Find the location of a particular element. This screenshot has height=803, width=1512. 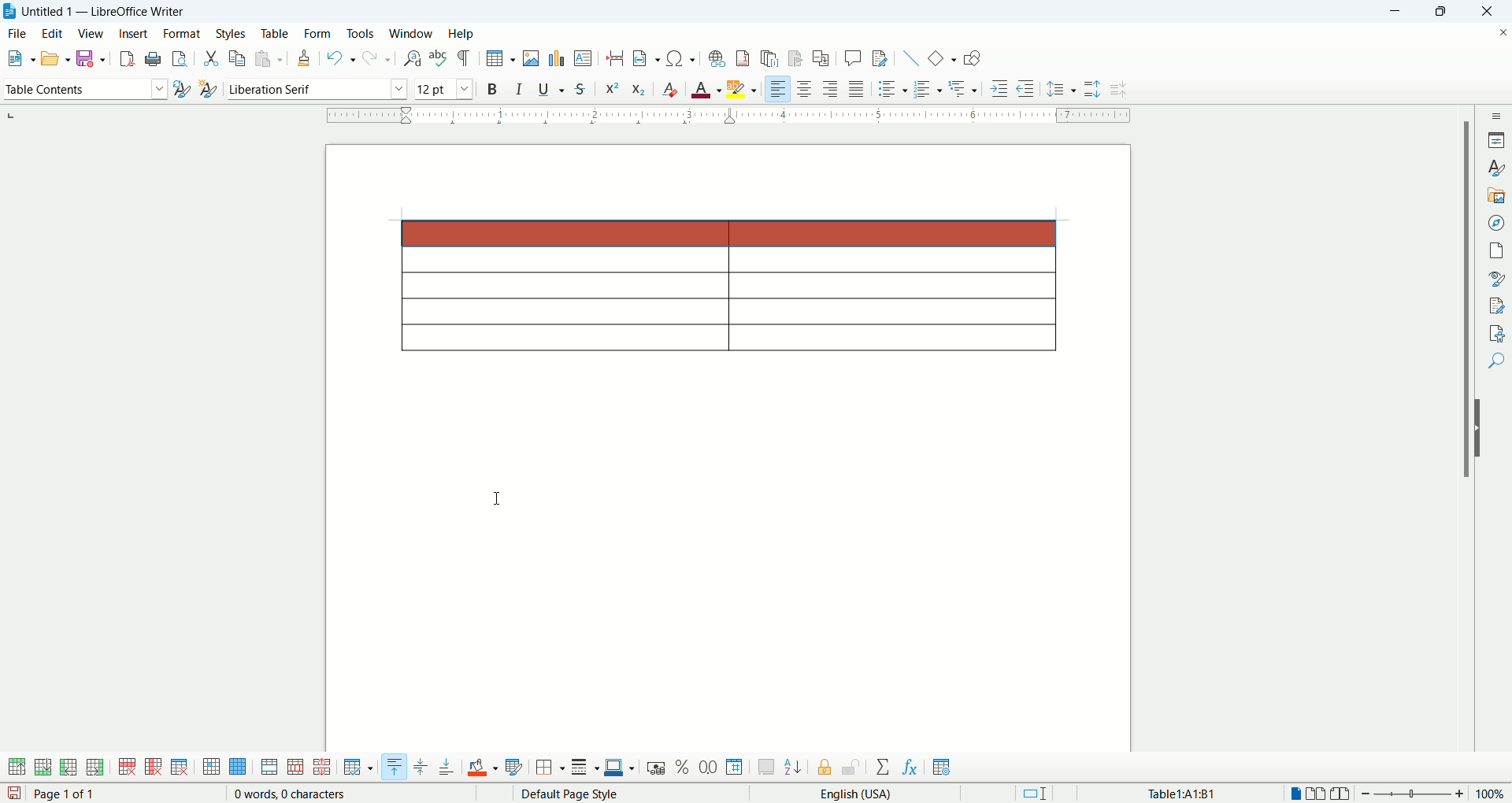

print is located at coordinates (154, 58).